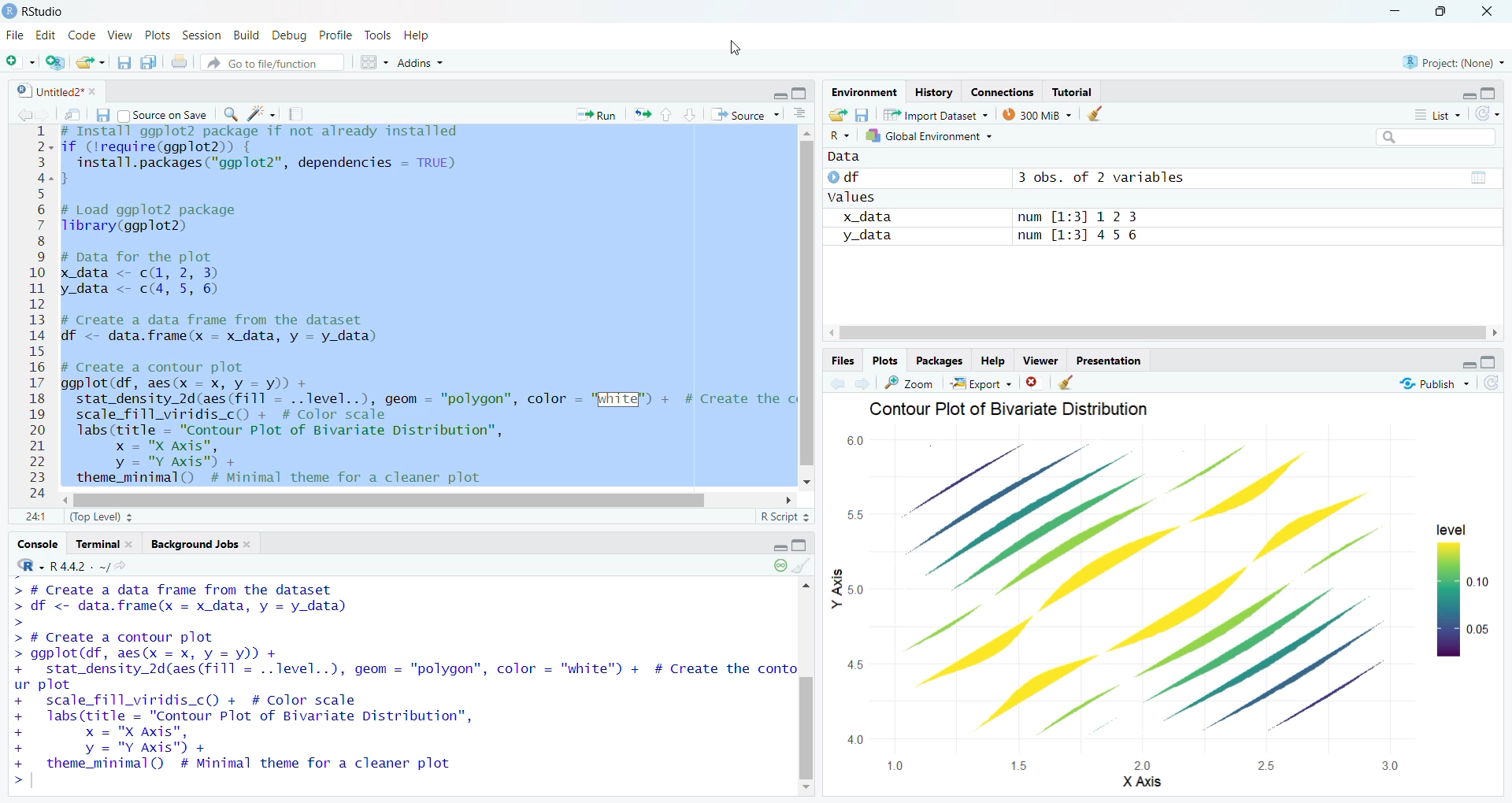 The width and height of the screenshot is (1512, 803). Describe the element at coordinates (400, 498) in the screenshot. I see `horizontal scroll bar` at that location.